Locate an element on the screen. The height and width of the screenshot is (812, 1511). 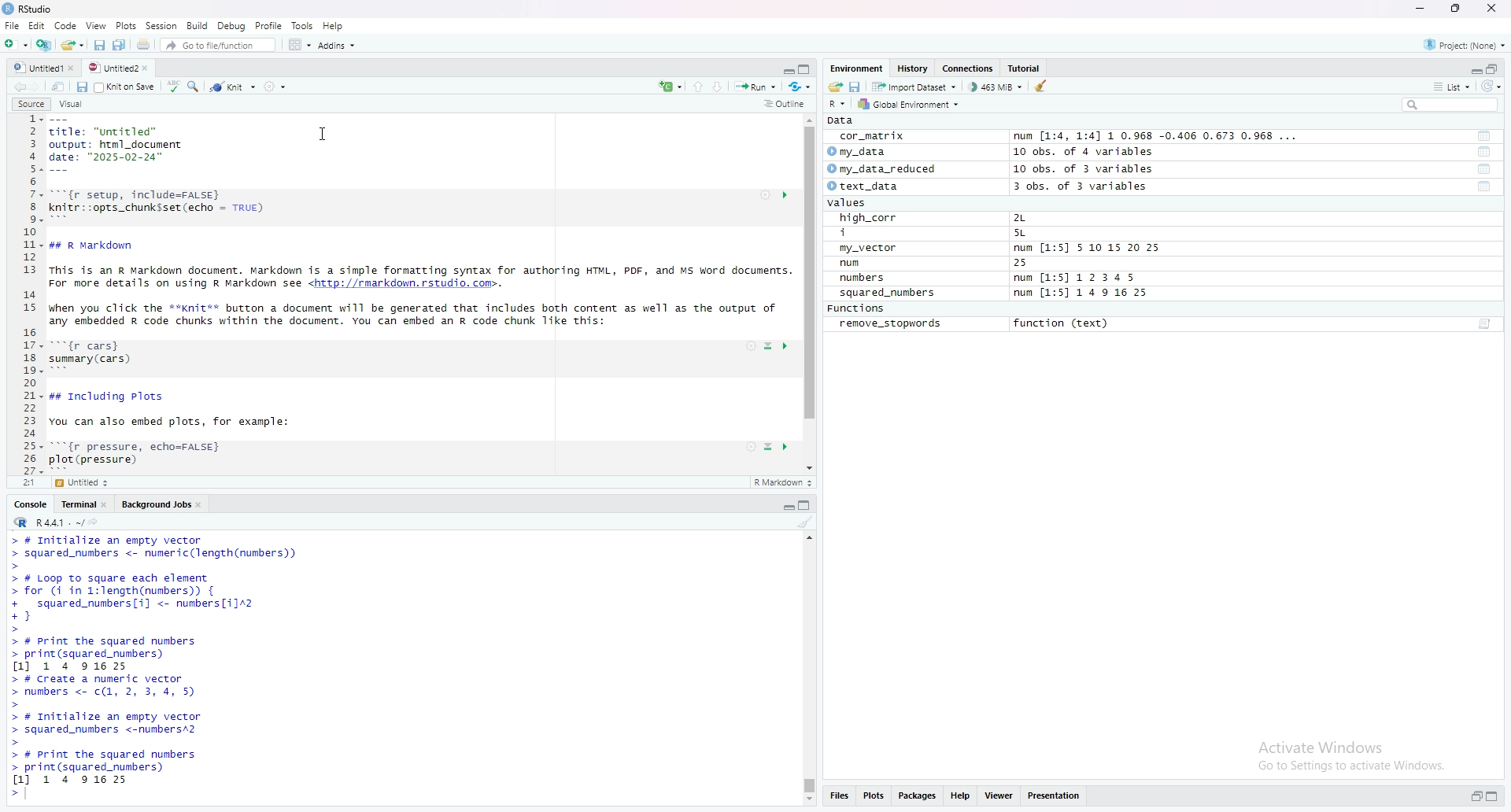
minimize is located at coordinates (785, 507).